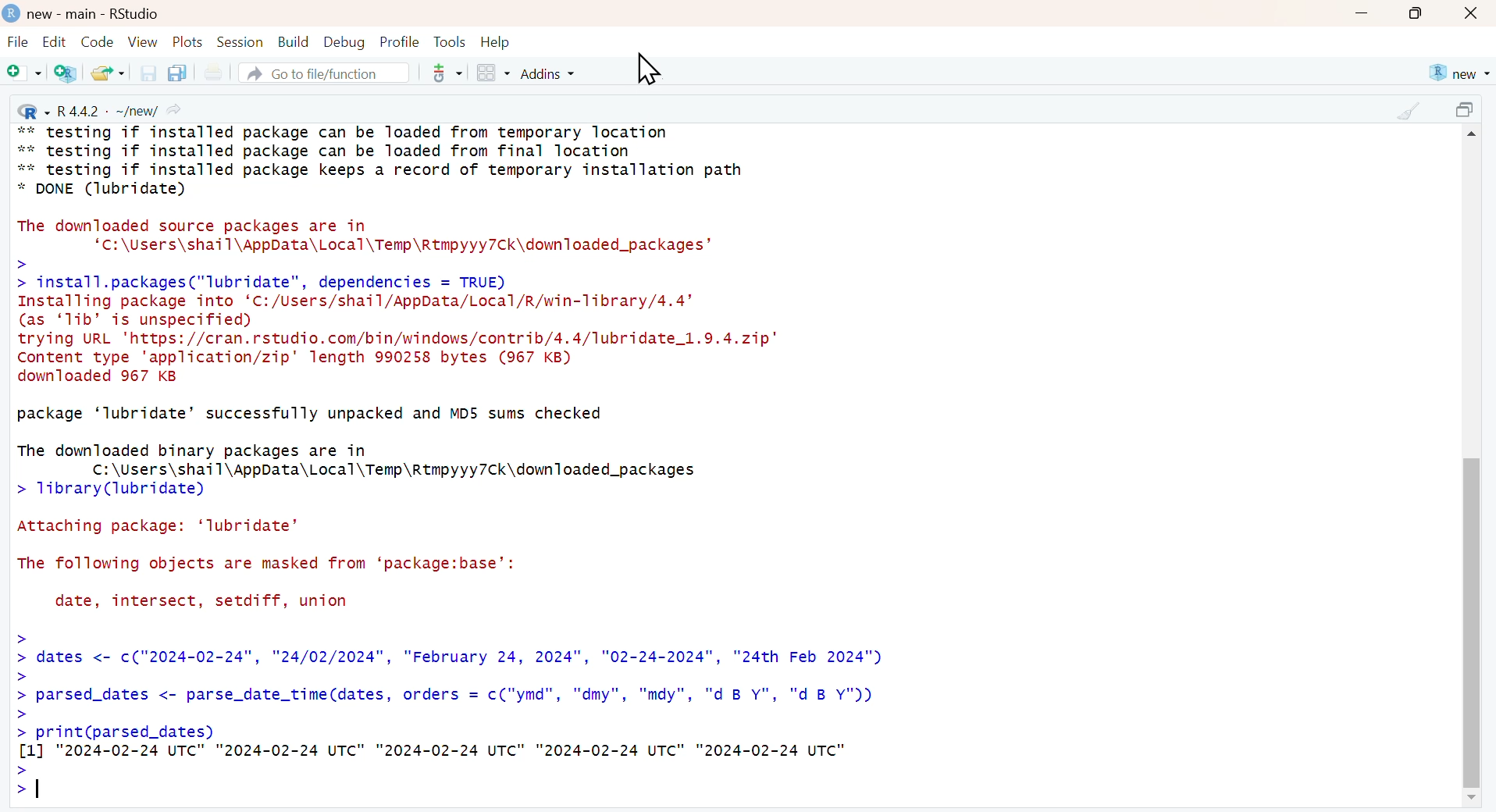  What do you see at coordinates (102, 111) in the screenshot?
I see `R 4.4.2 . ~/new/` at bounding box center [102, 111].